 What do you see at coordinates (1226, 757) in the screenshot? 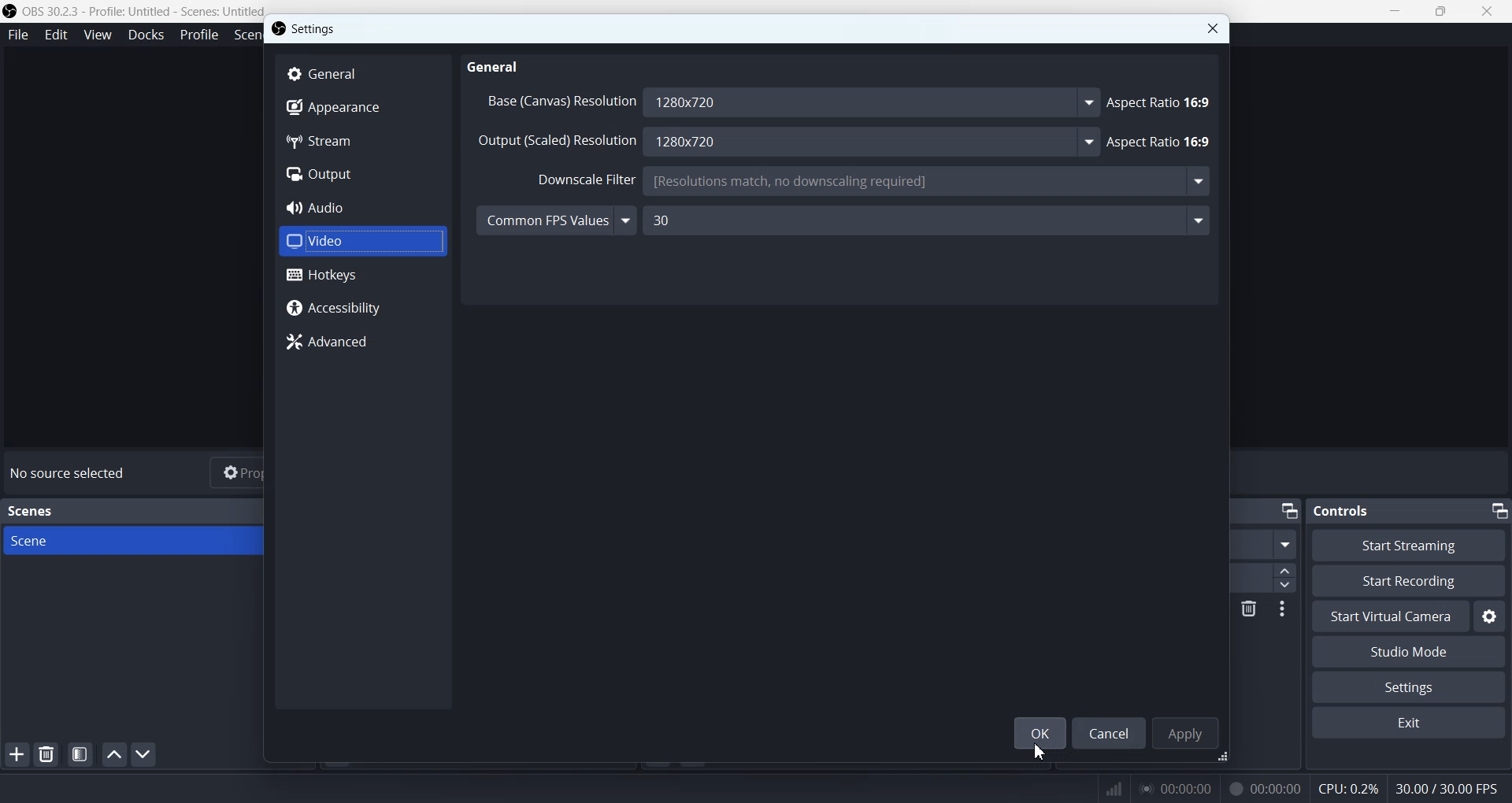
I see `Window adjuster` at bounding box center [1226, 757].